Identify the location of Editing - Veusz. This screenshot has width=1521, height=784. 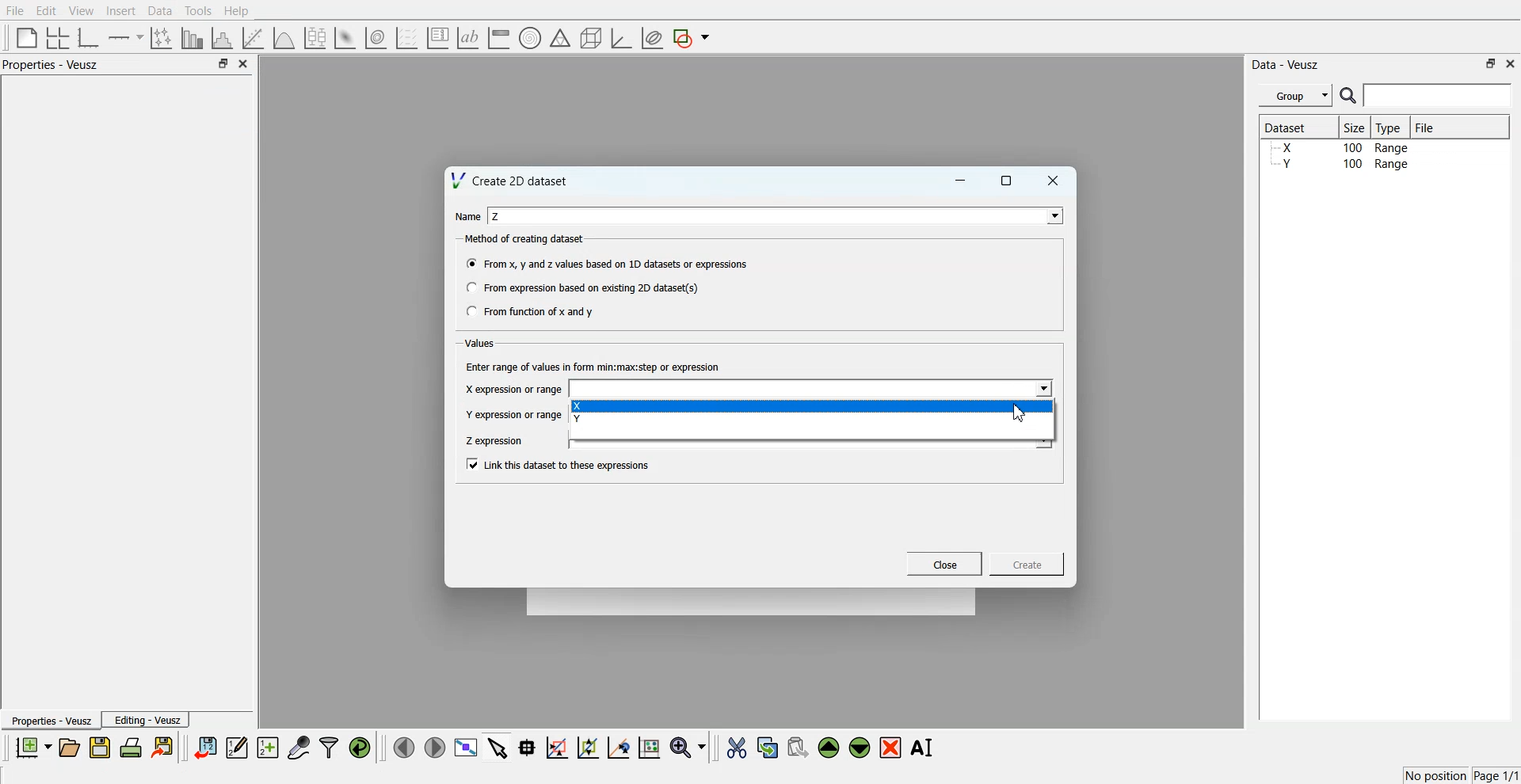
(146, 719).